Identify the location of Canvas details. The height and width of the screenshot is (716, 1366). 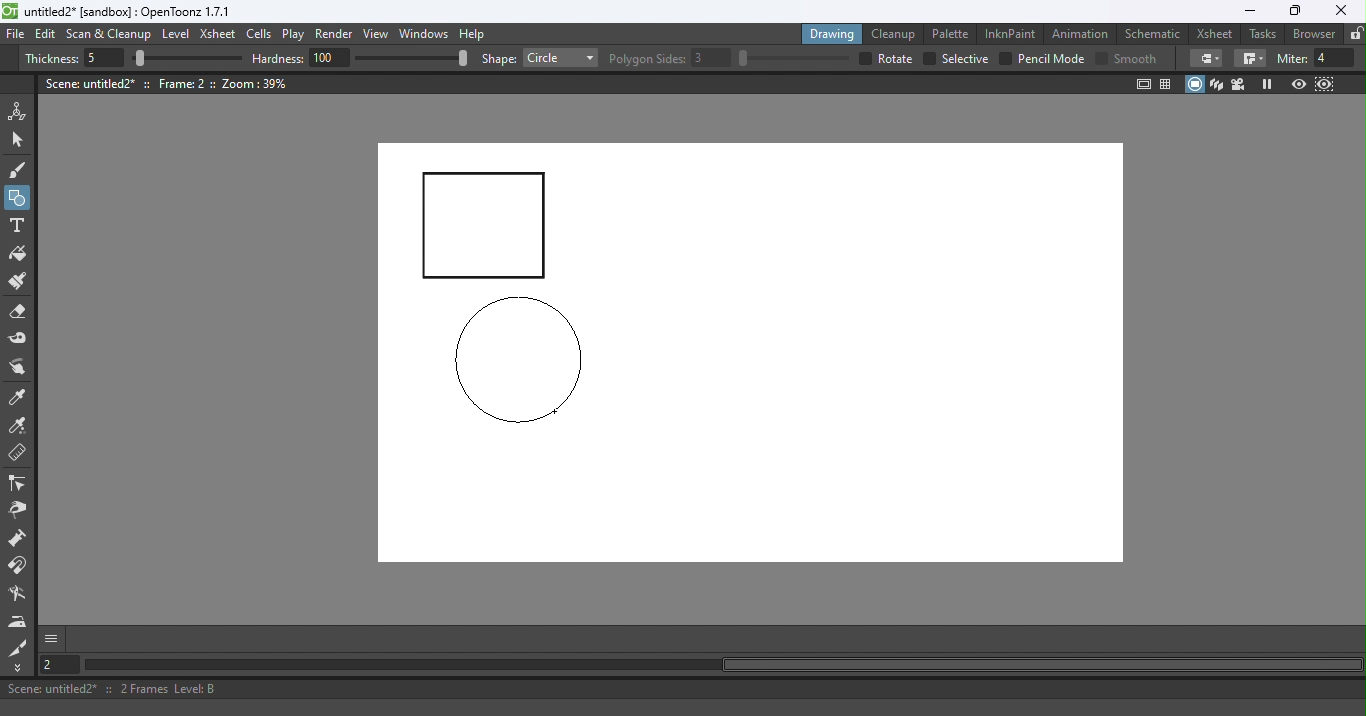
(169, 83).